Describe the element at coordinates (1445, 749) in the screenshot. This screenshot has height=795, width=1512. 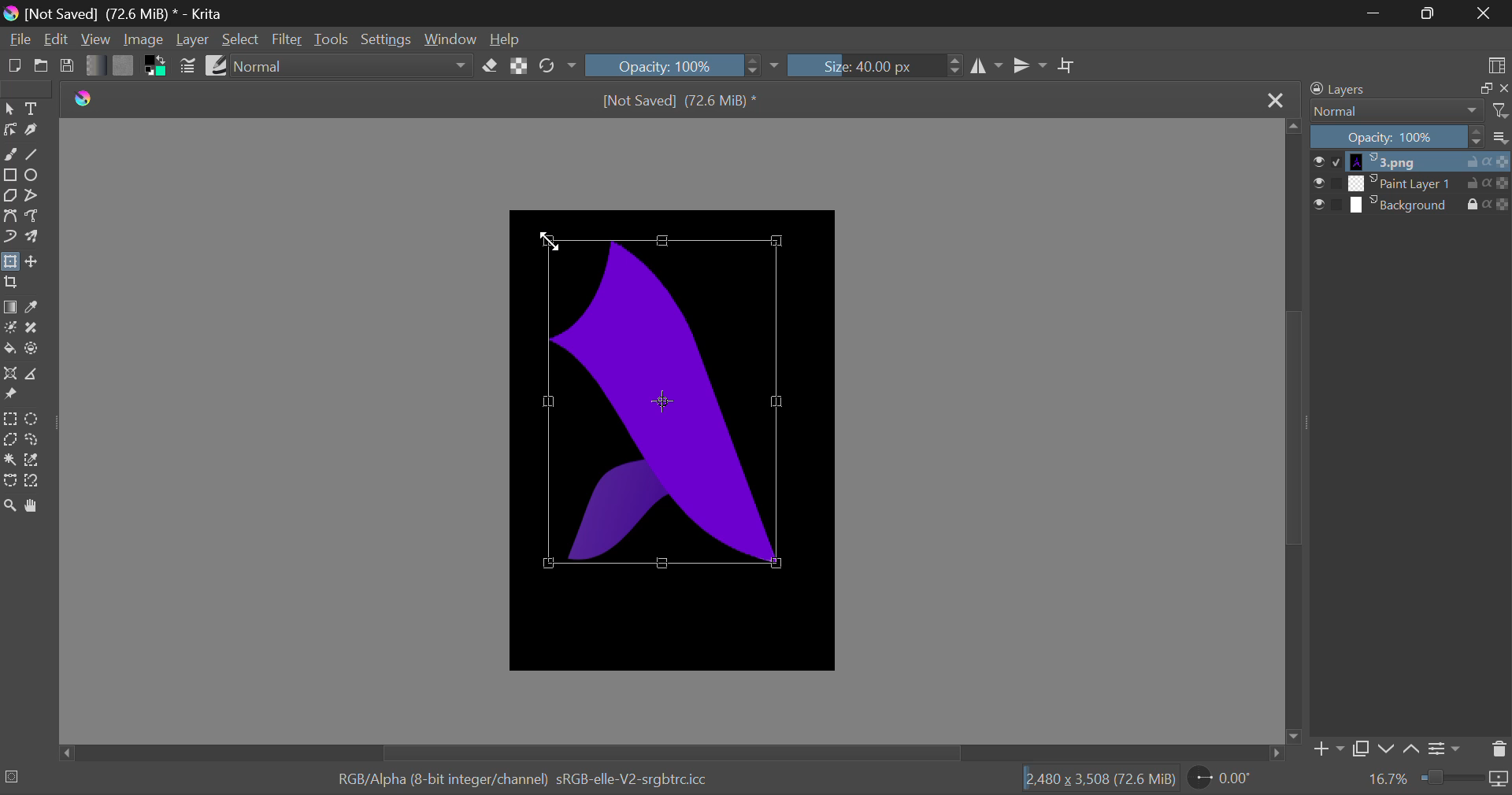
I see `Settings` at that location.